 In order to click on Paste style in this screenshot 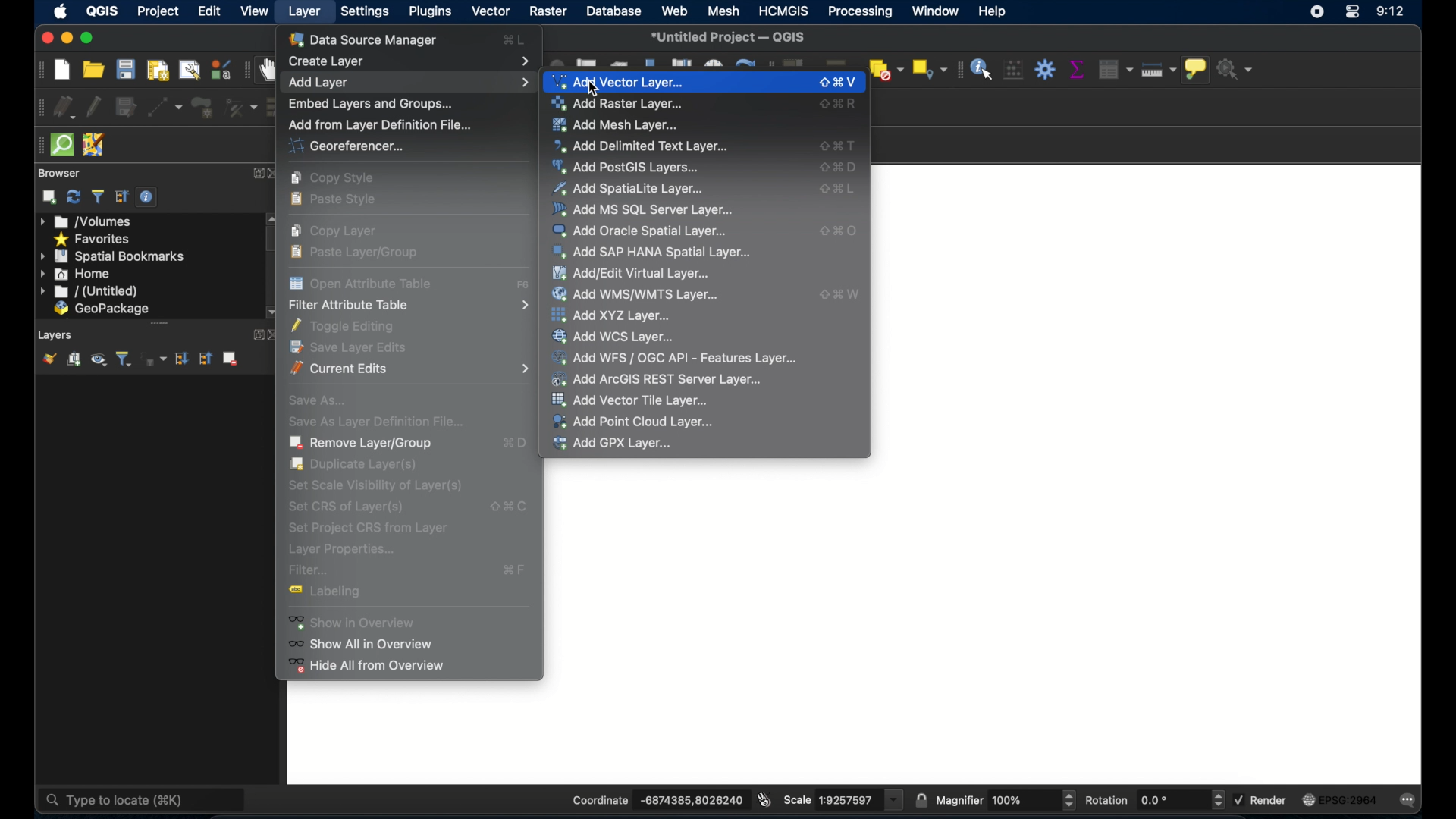, I will do `click(329, 203)`.